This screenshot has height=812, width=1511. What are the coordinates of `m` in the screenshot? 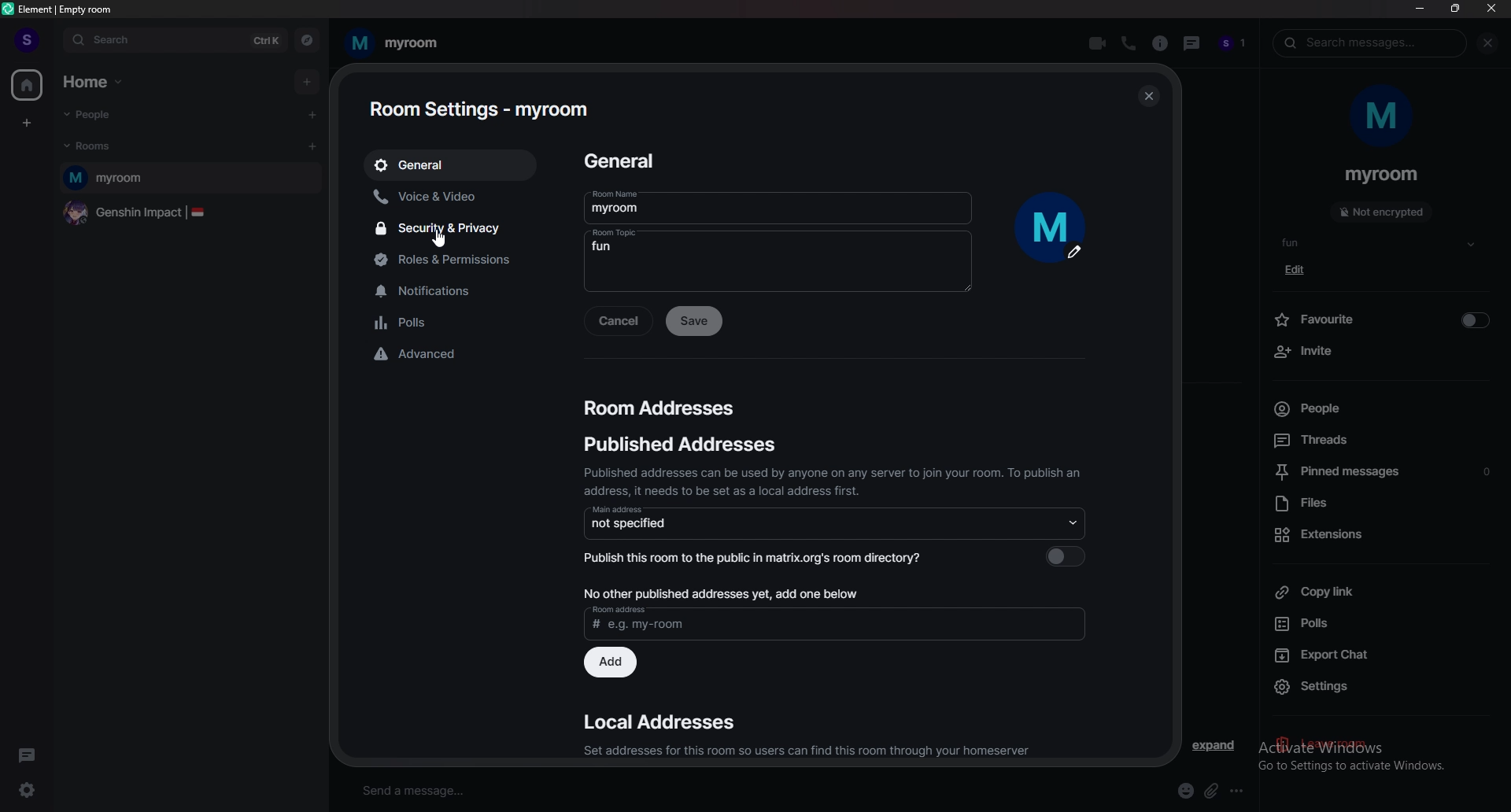 It's located at (1384, 121).